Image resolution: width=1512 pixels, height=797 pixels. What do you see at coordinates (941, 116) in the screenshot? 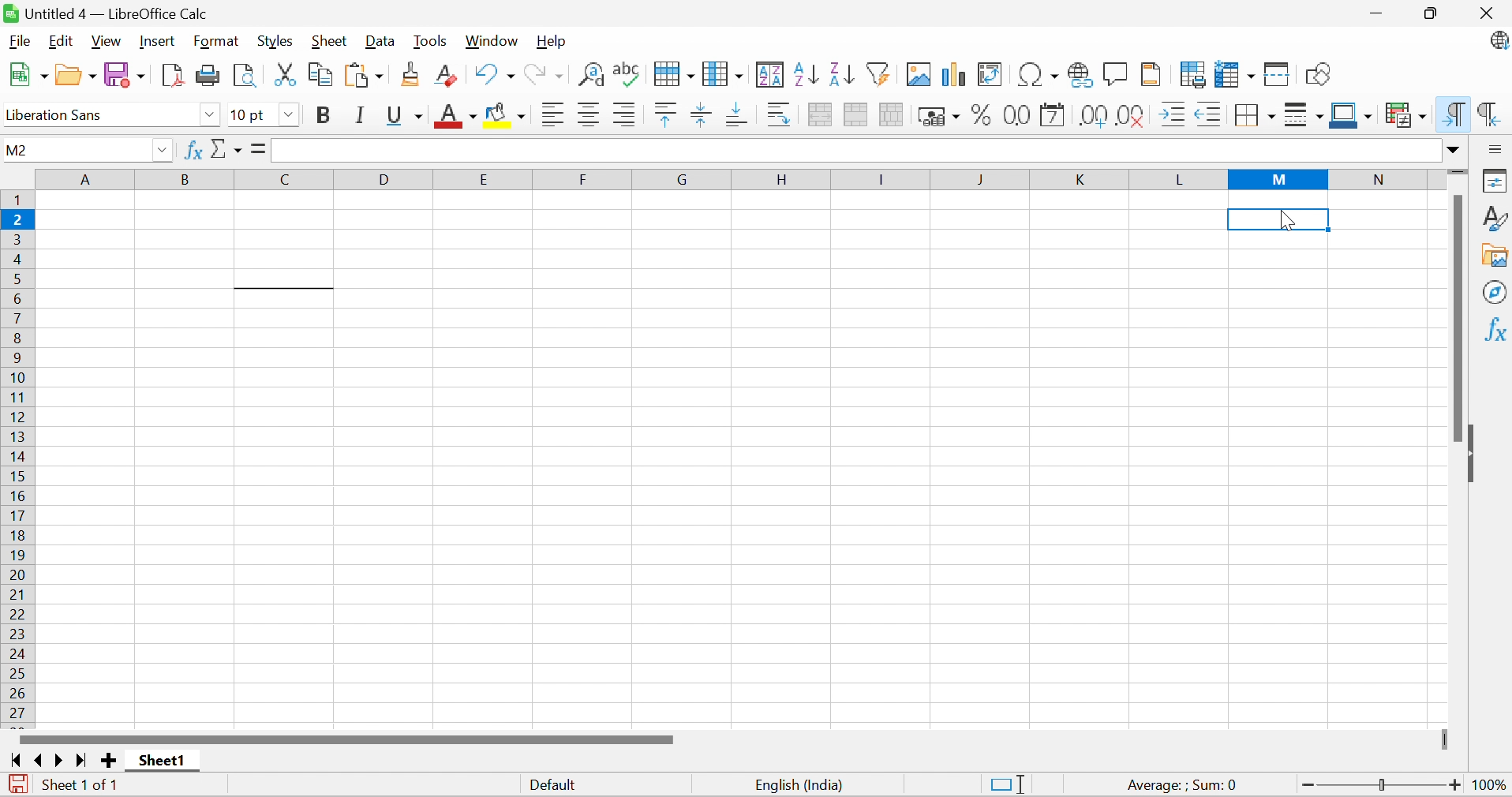
I see `Format as currency` at bounding box center [941, 116].